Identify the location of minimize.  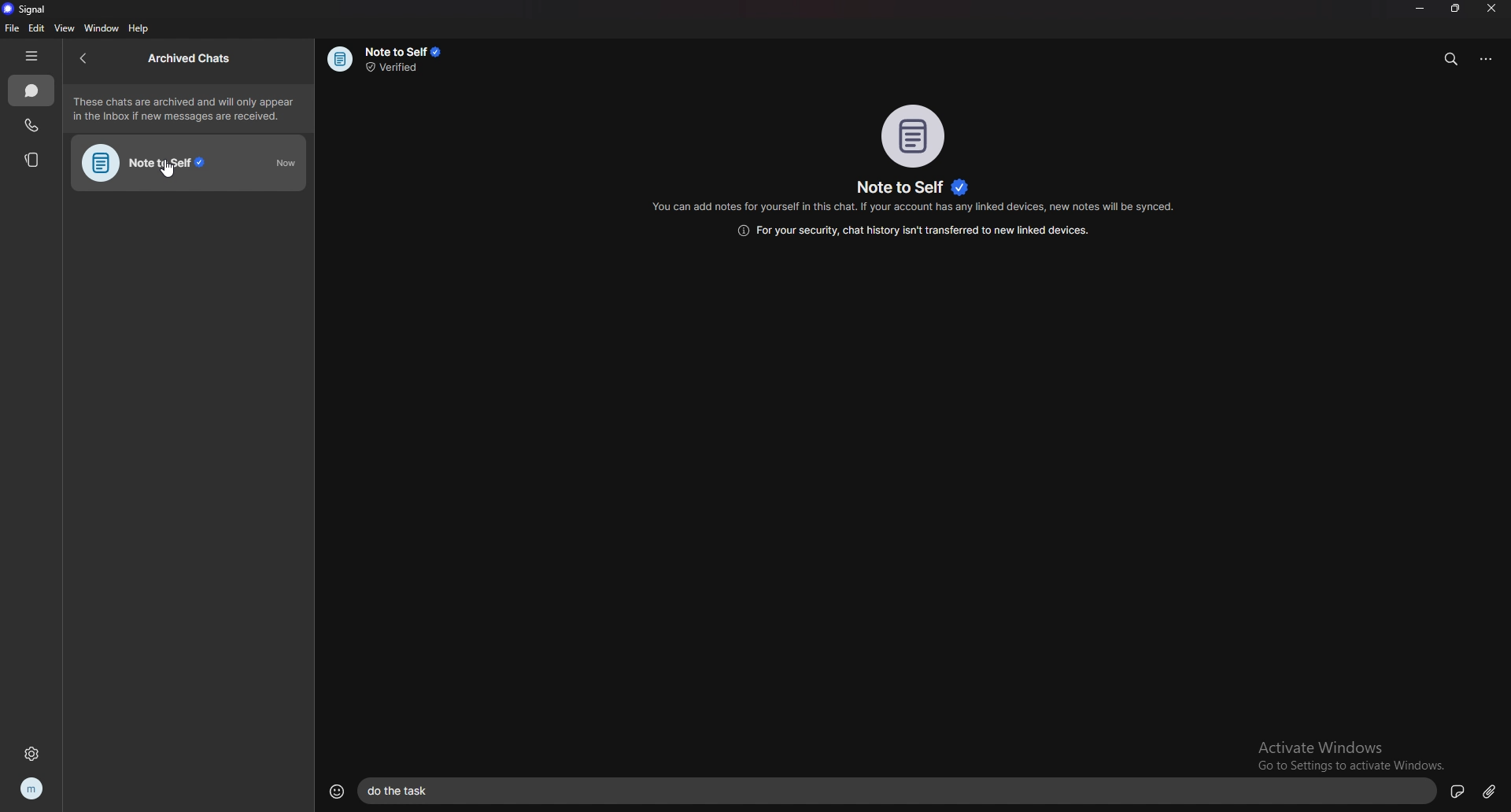
(1420, 7).